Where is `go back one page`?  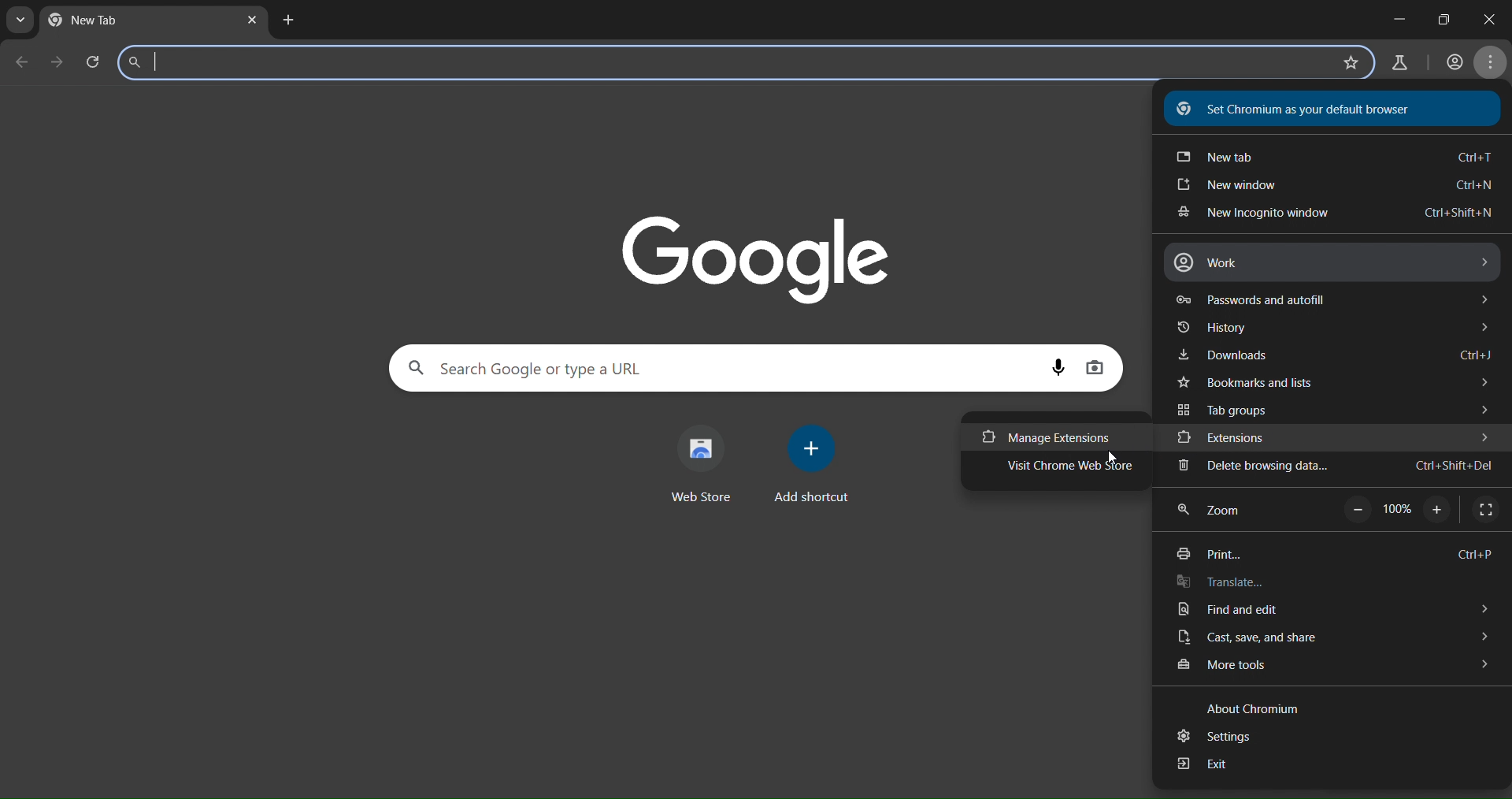 go back one page is located at coordinates (23, 63).